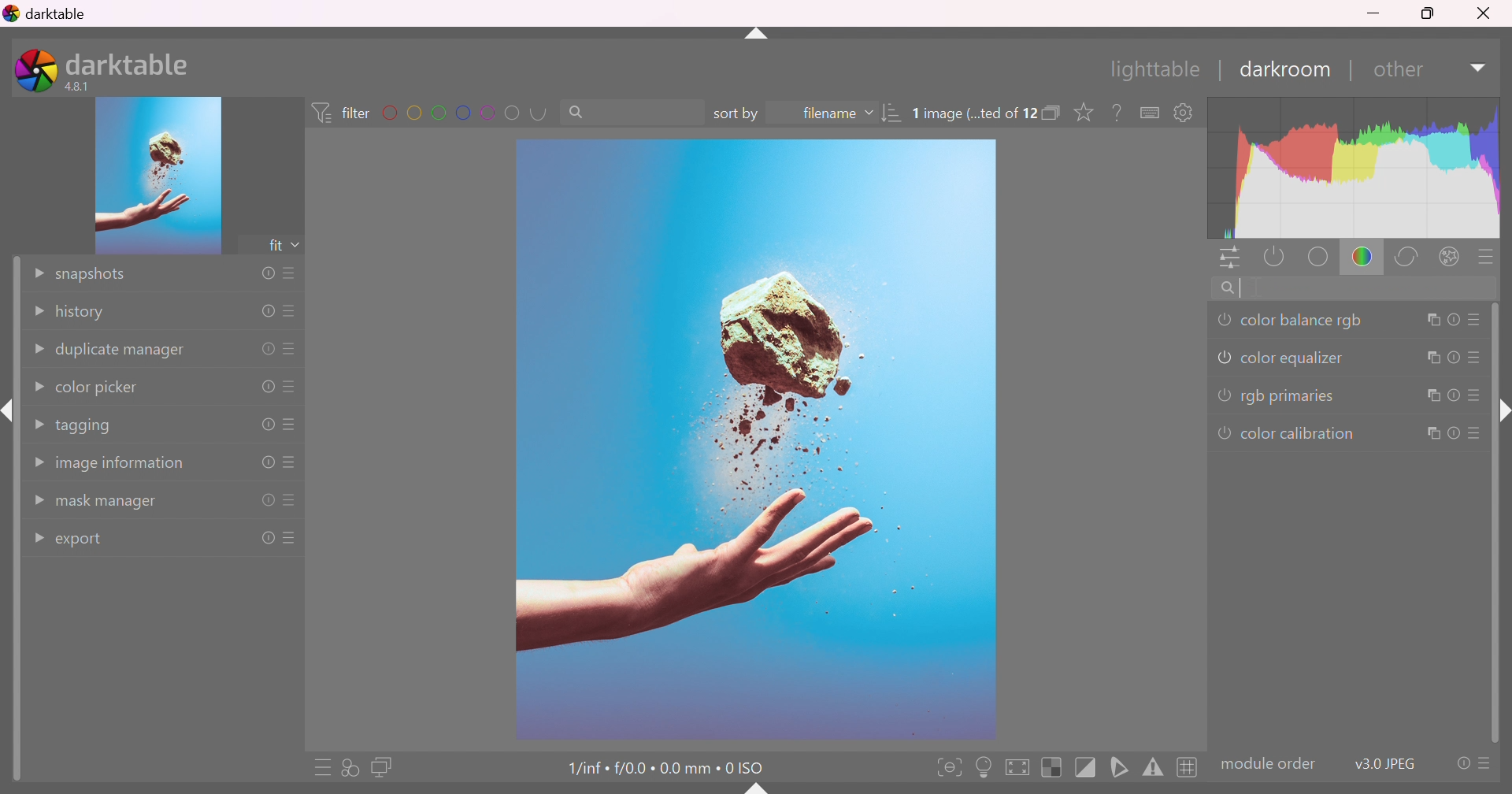 This screenshot has height=794, width=1512. What do you see at coordinates (83, 312) in the screenshot?
I see `history` at bounding box center [83, 312].